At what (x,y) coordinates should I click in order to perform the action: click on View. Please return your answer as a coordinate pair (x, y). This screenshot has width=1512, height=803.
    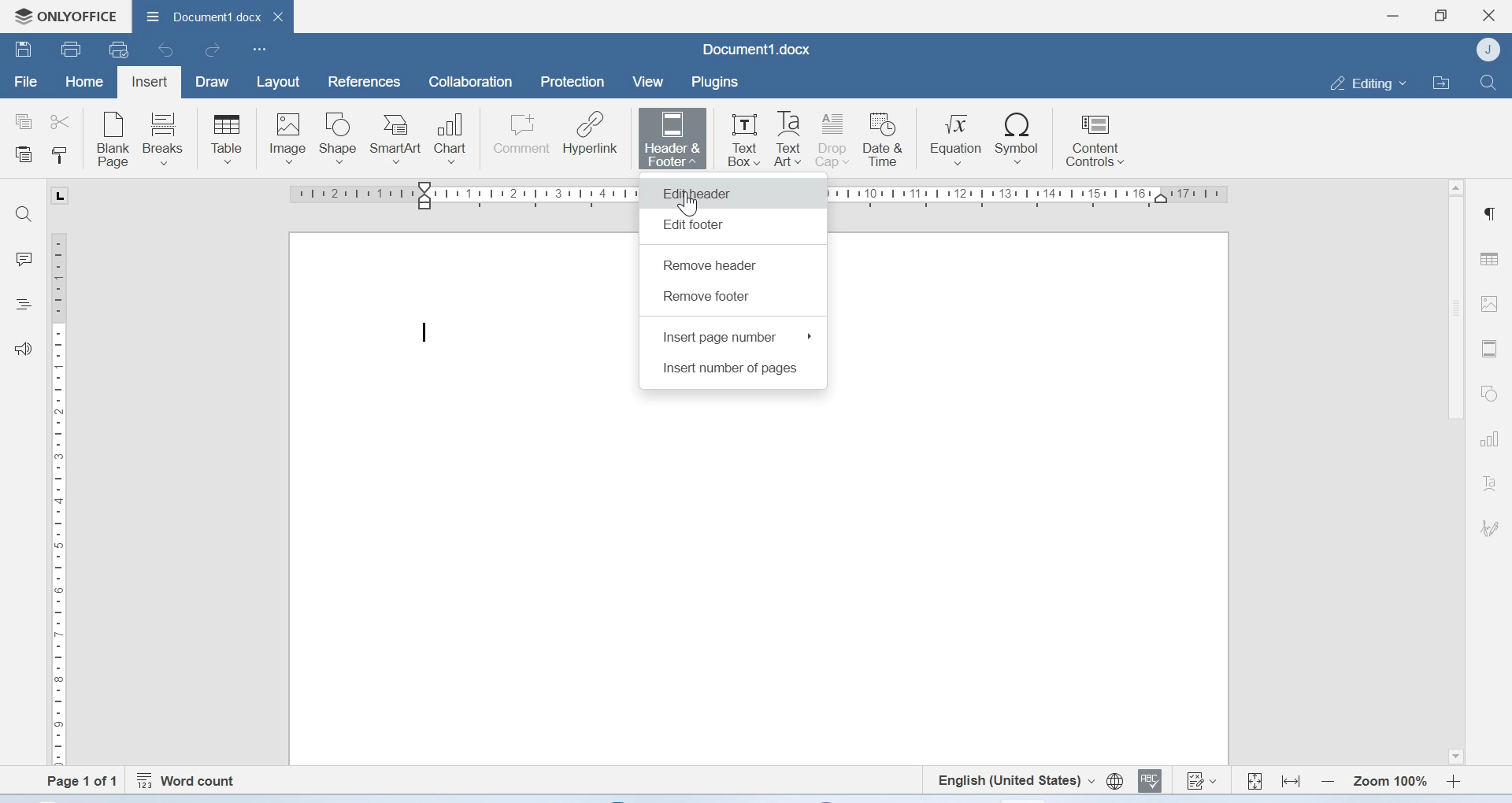
    Looking at the image, I should click on (650, 82).